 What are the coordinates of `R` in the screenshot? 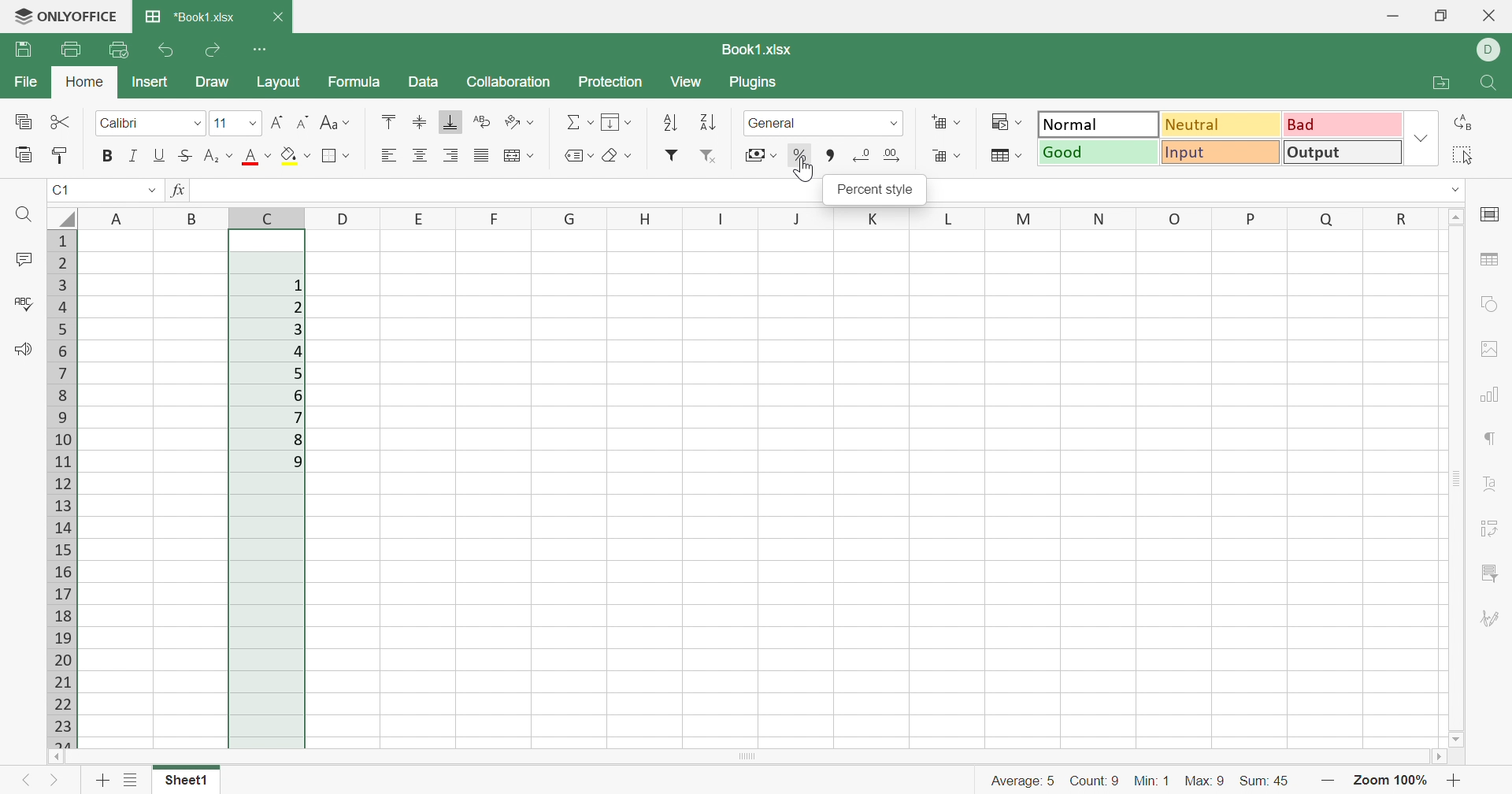 It's located at (1395, 219).